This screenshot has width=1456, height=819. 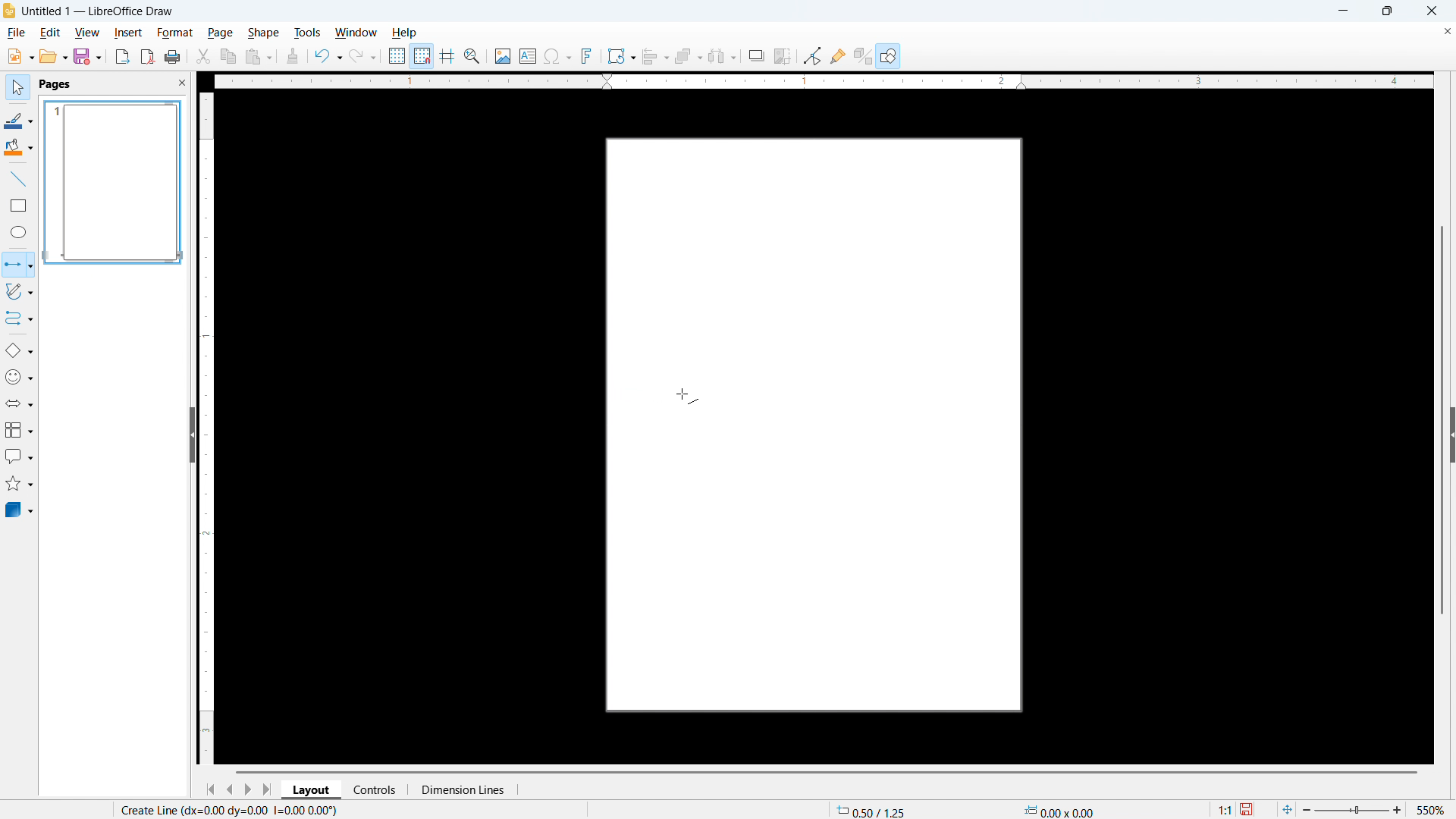 I want to click on 3d objects, so click(x=20, y=510).